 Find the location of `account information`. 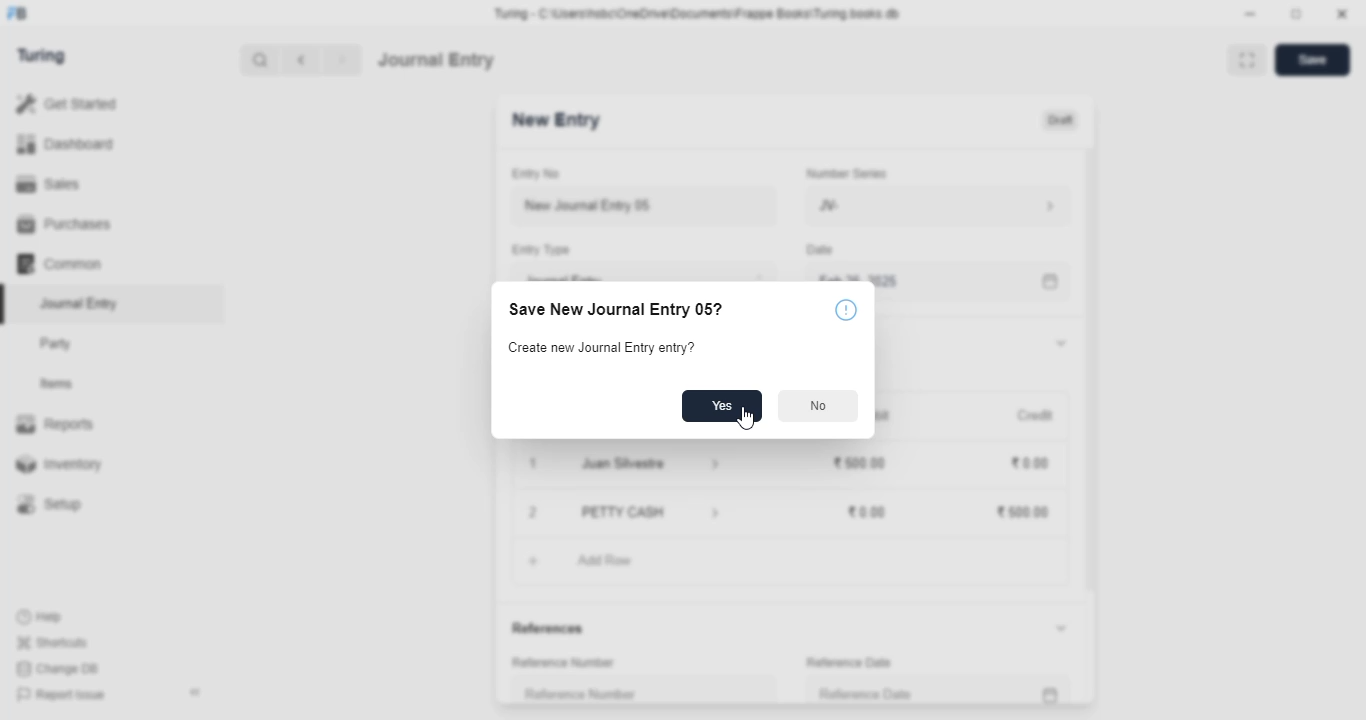

account information is located at coordinates (716, 465).